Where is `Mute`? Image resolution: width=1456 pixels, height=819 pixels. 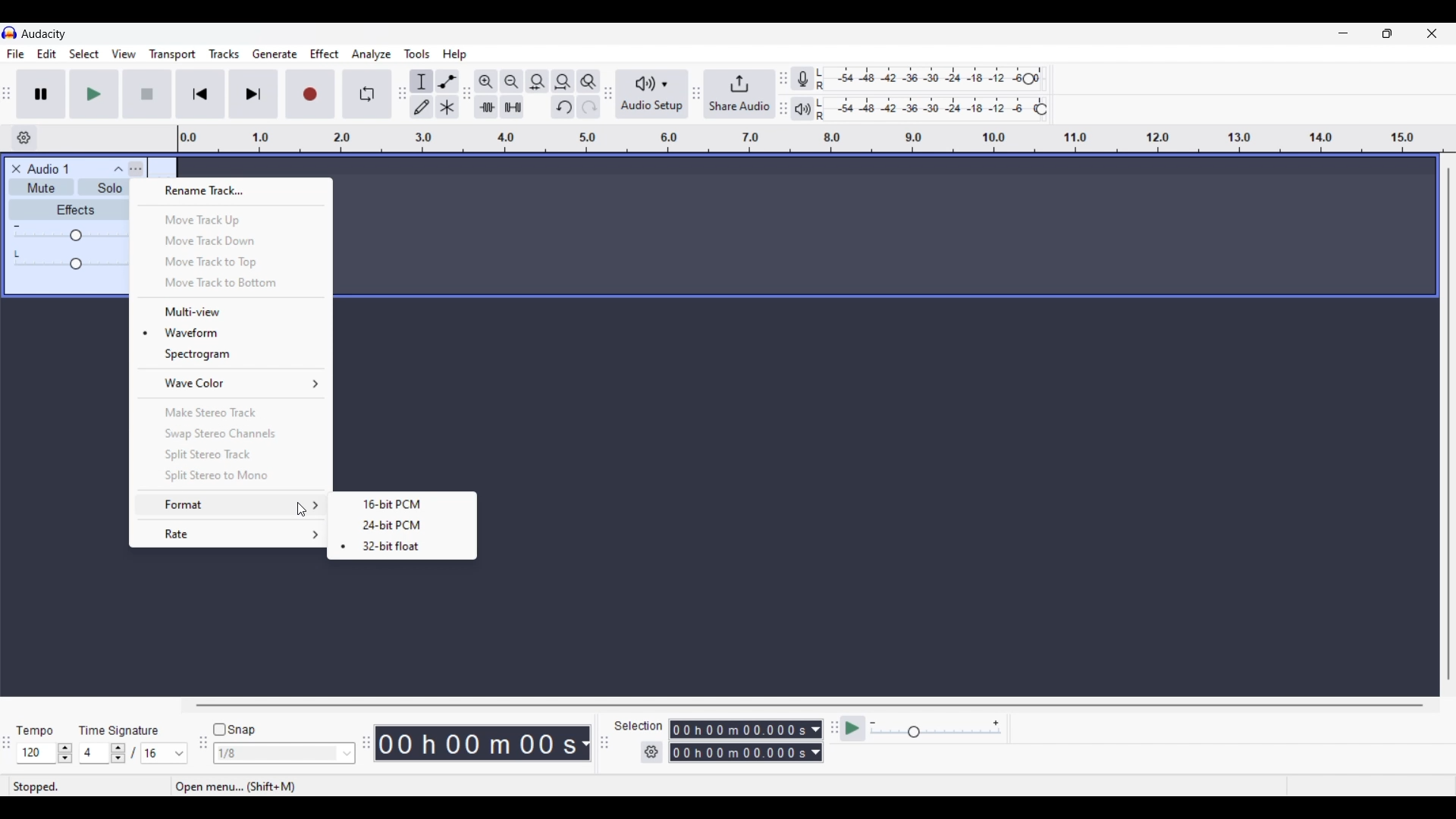
Mute is located at coordinates (39, 190).